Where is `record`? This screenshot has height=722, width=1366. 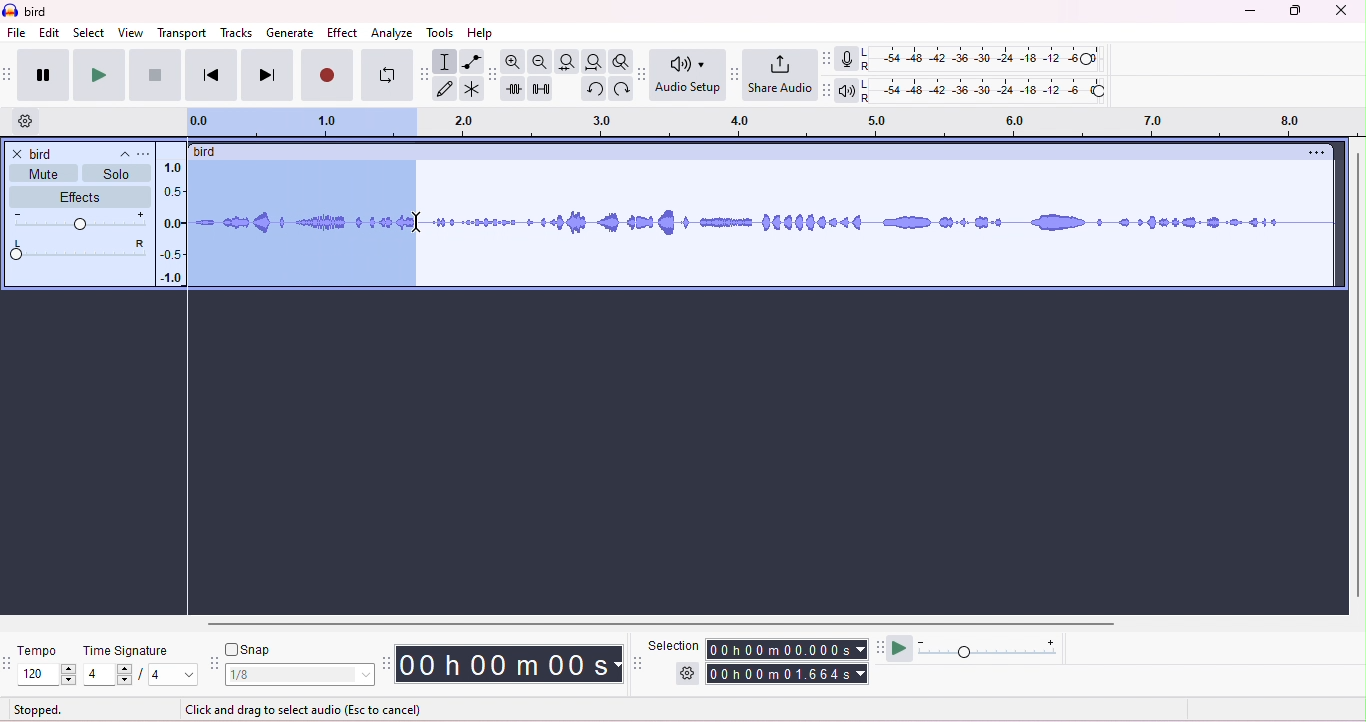
record is located at coordinates (326, 75).